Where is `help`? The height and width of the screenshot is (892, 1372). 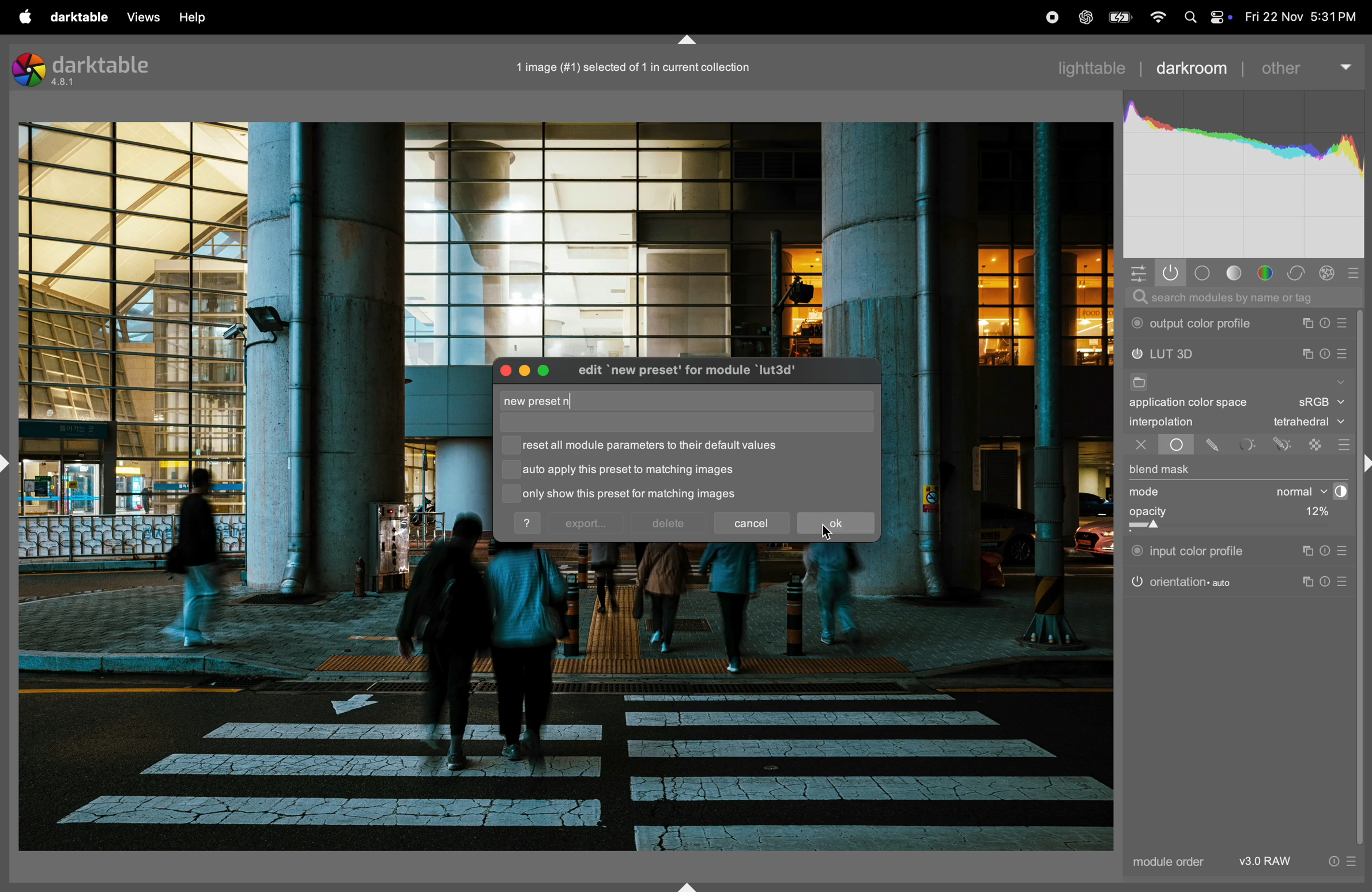
help is located at coordinates (529, 523).